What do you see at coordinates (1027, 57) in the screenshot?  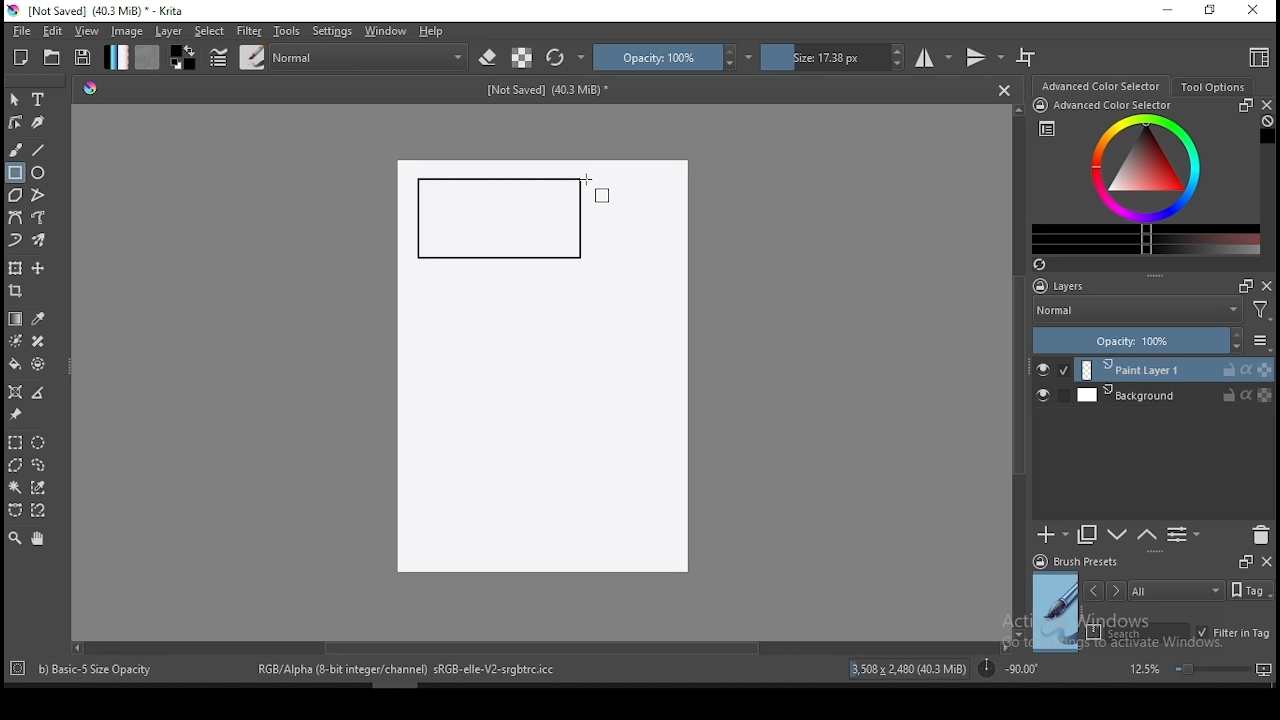 I see `wrap around mode` at bounding box center [1027, 57].